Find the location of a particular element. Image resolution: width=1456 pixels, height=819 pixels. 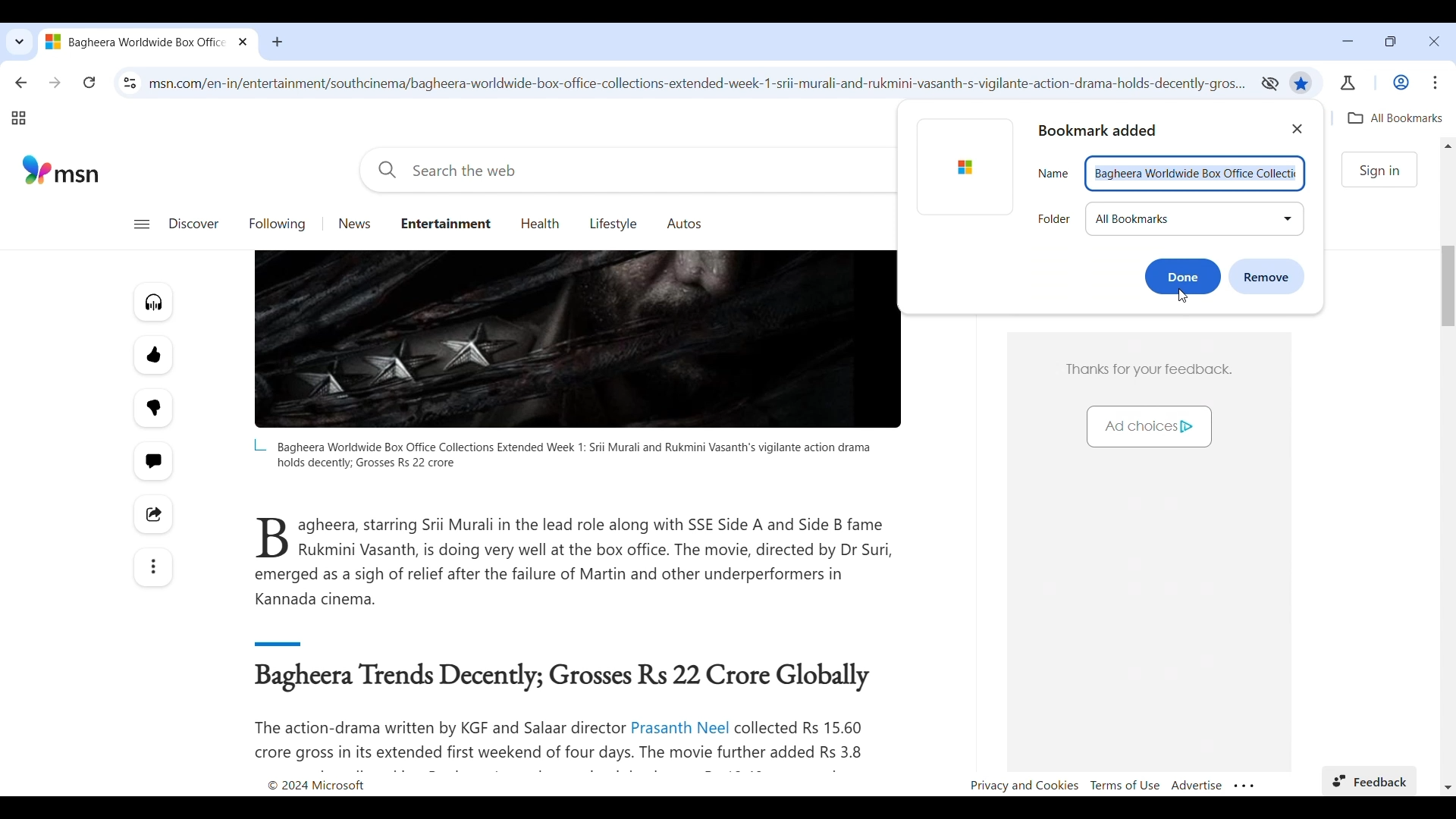

demarcating line is located at coordinates (308, 641).